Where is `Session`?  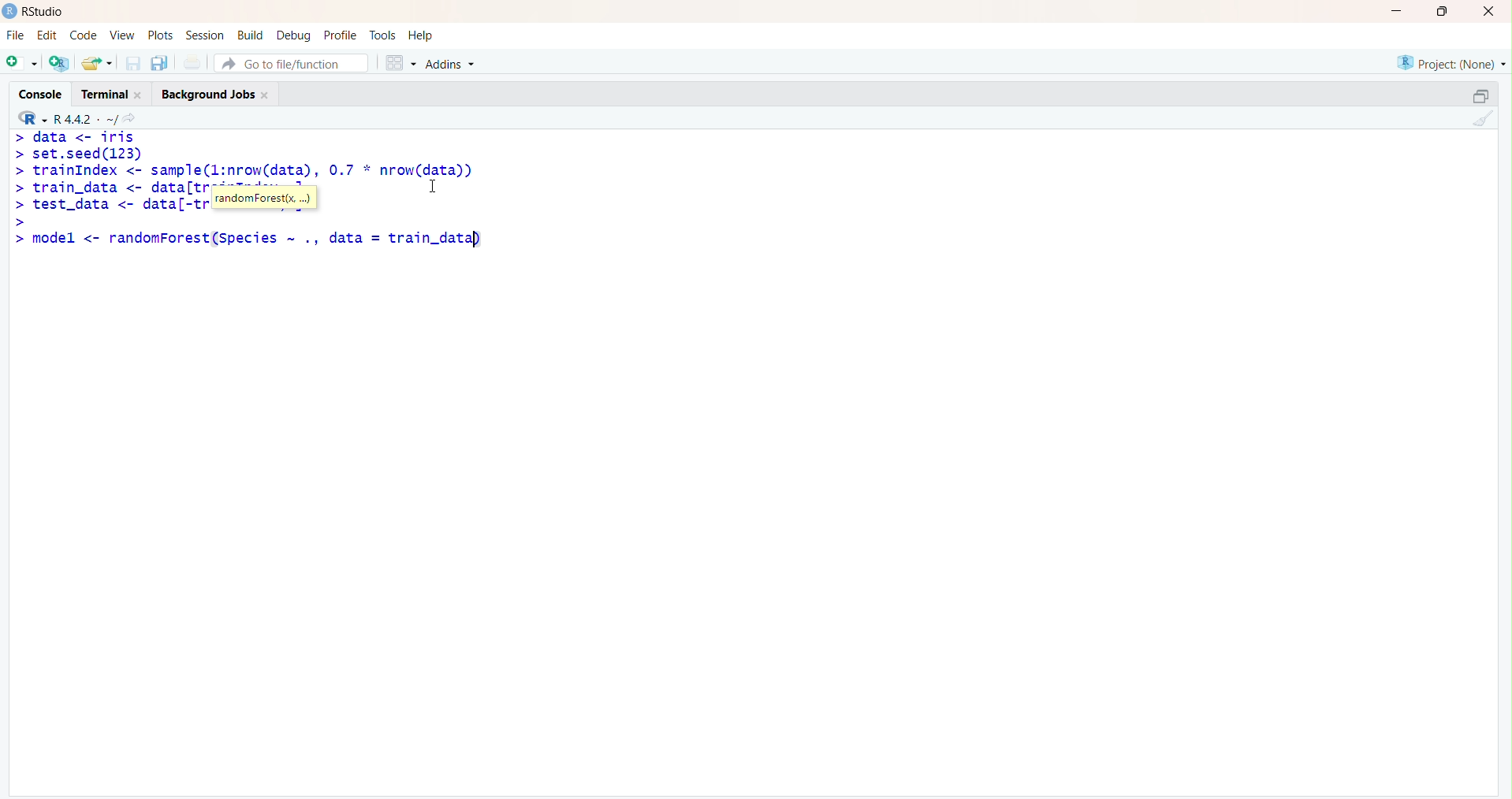 Session is located at coordinates (205, 36).